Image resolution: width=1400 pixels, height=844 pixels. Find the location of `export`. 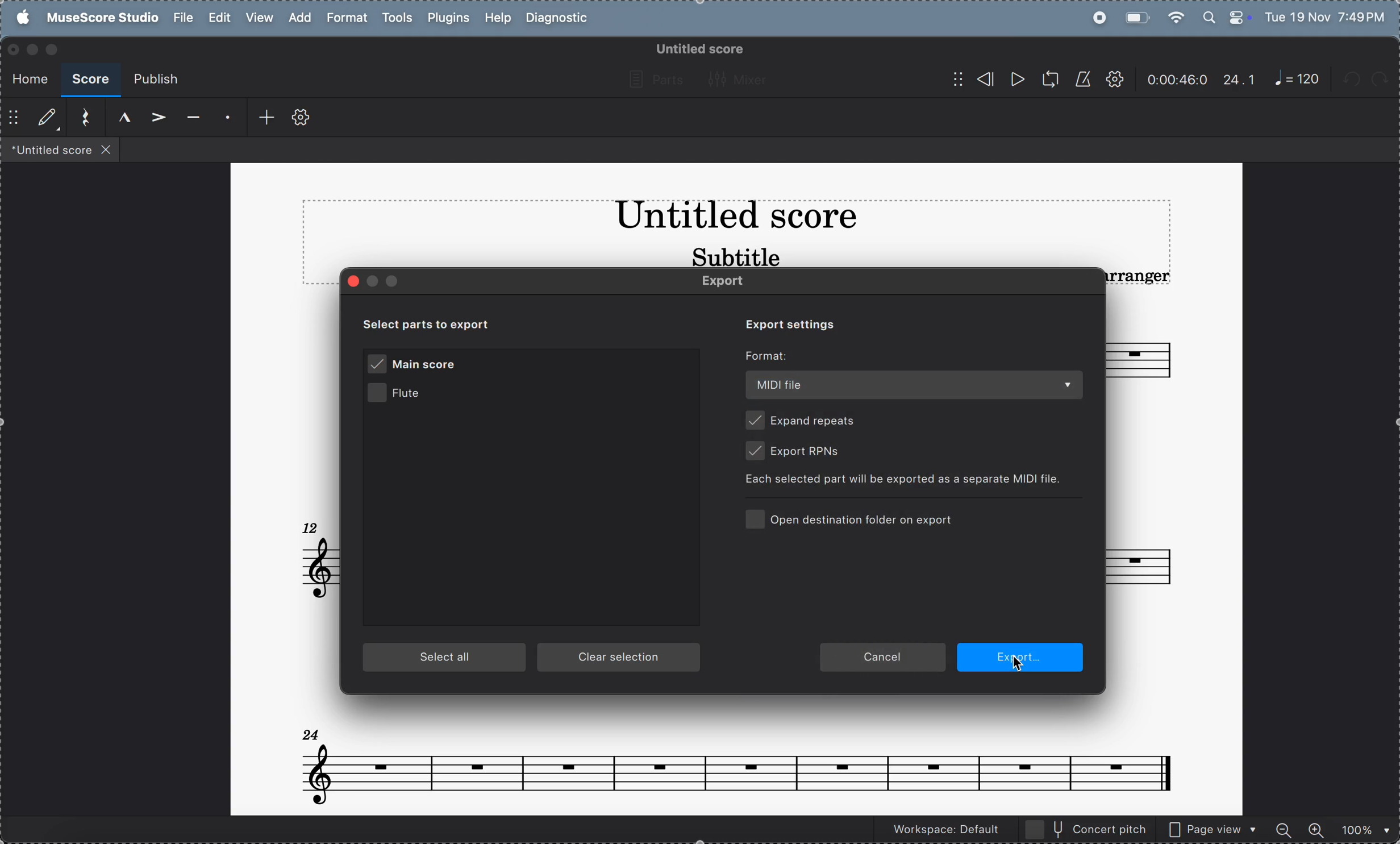

export is located at coordinates (1023, 658).